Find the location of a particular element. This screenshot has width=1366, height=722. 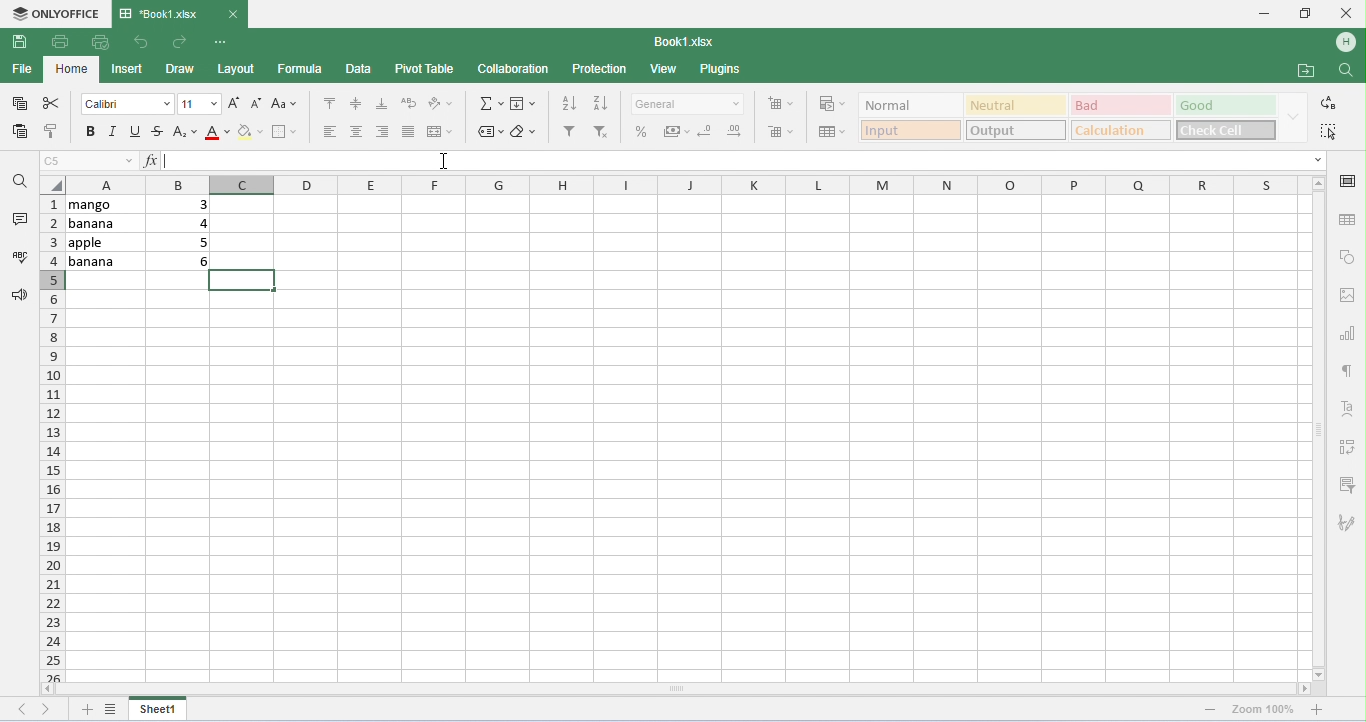

paste is located at coordinates (21, 131).